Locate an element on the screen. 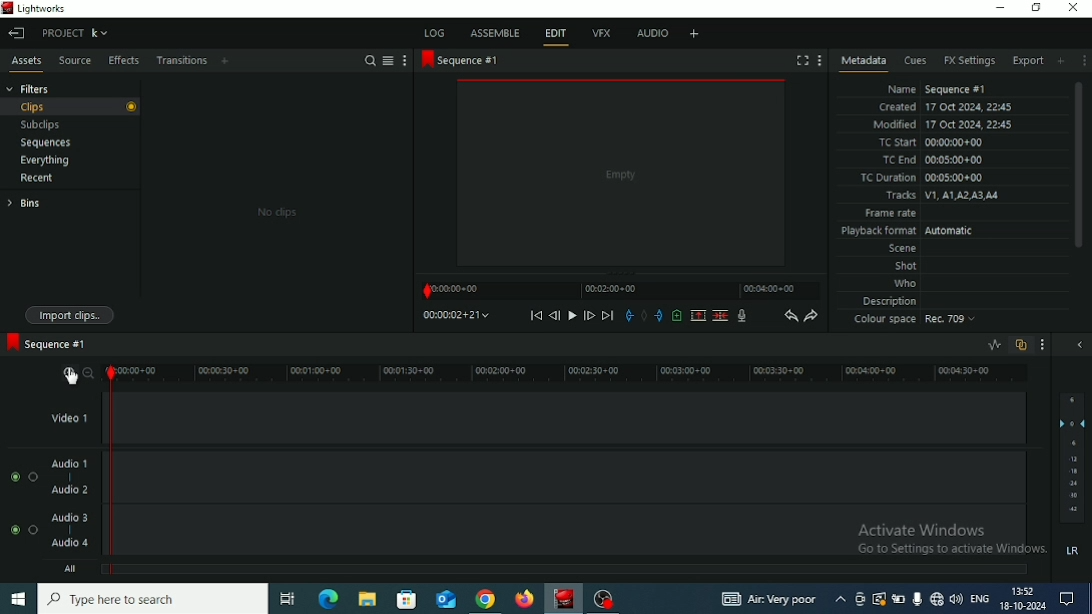 The image size is (1092, 614). Undo is located at coordinates (790, 317).